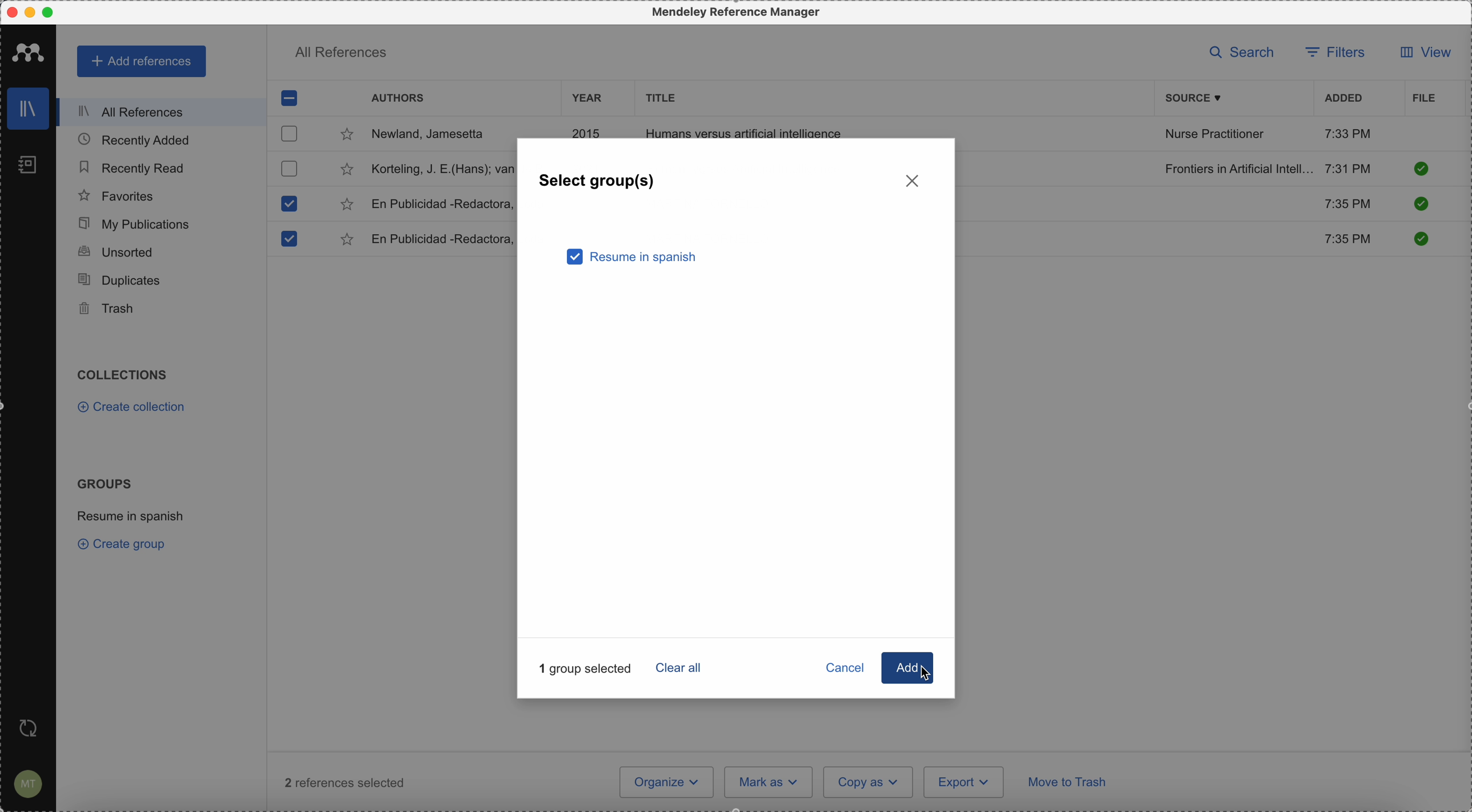 The width and height of the screenshot is (1472, 812). What do you see at coordinates (347, 171) in the screenshot?
I see `favorite` at bounding box center [347, 171].